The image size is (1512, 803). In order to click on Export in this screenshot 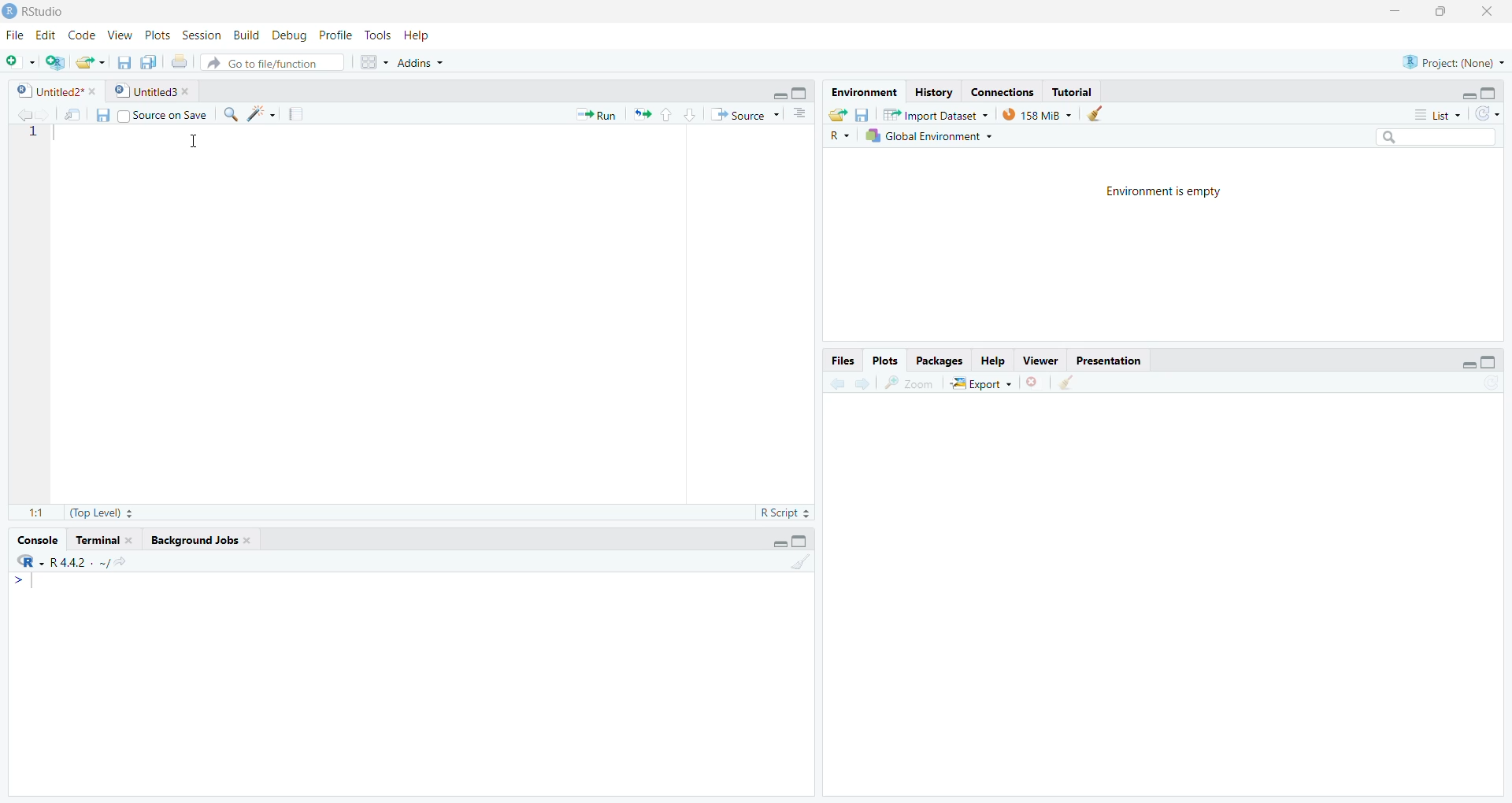, I will do `click(984, 381)`.